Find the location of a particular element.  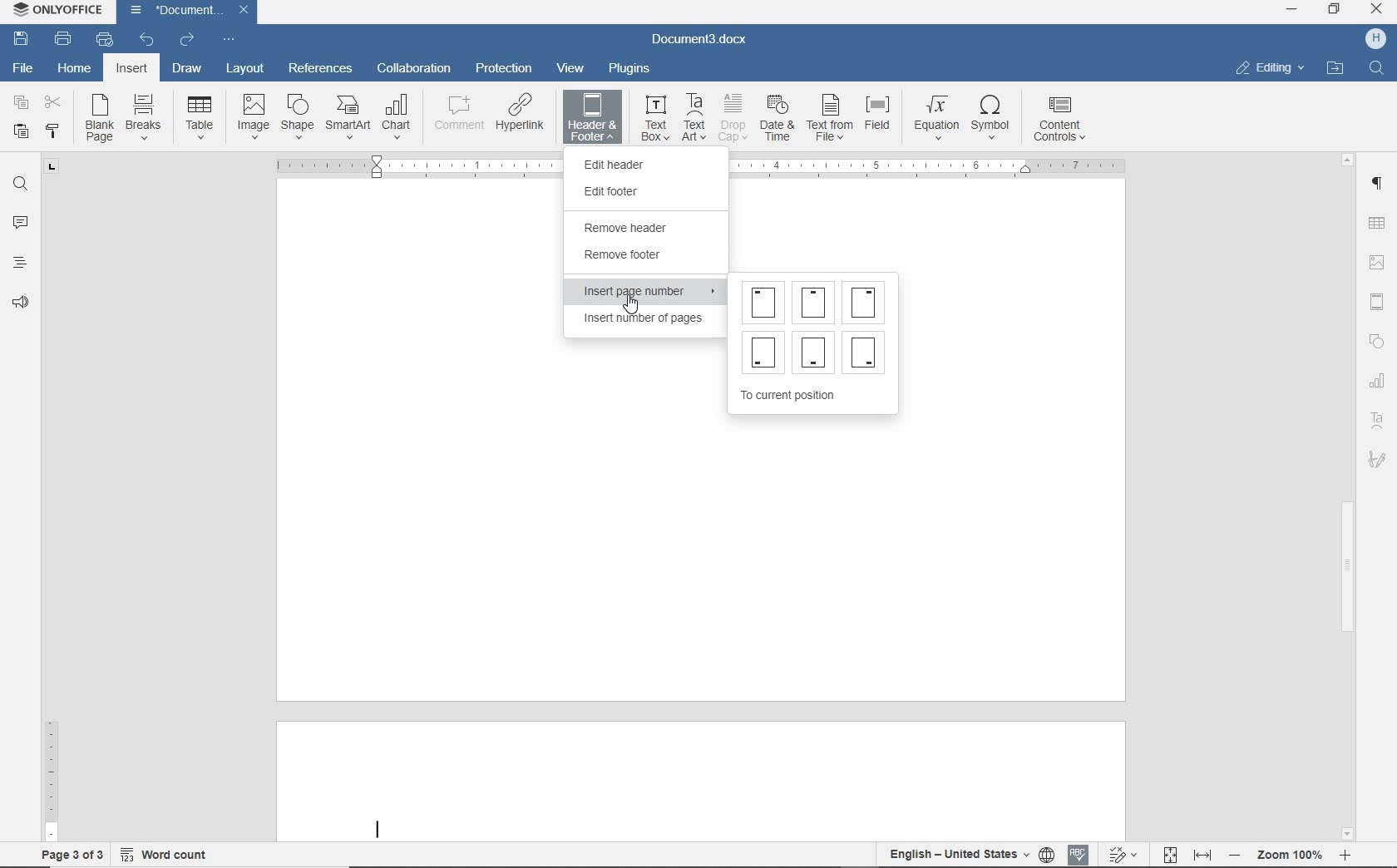

EDIT HEADER is located at coordinates (639, 165).